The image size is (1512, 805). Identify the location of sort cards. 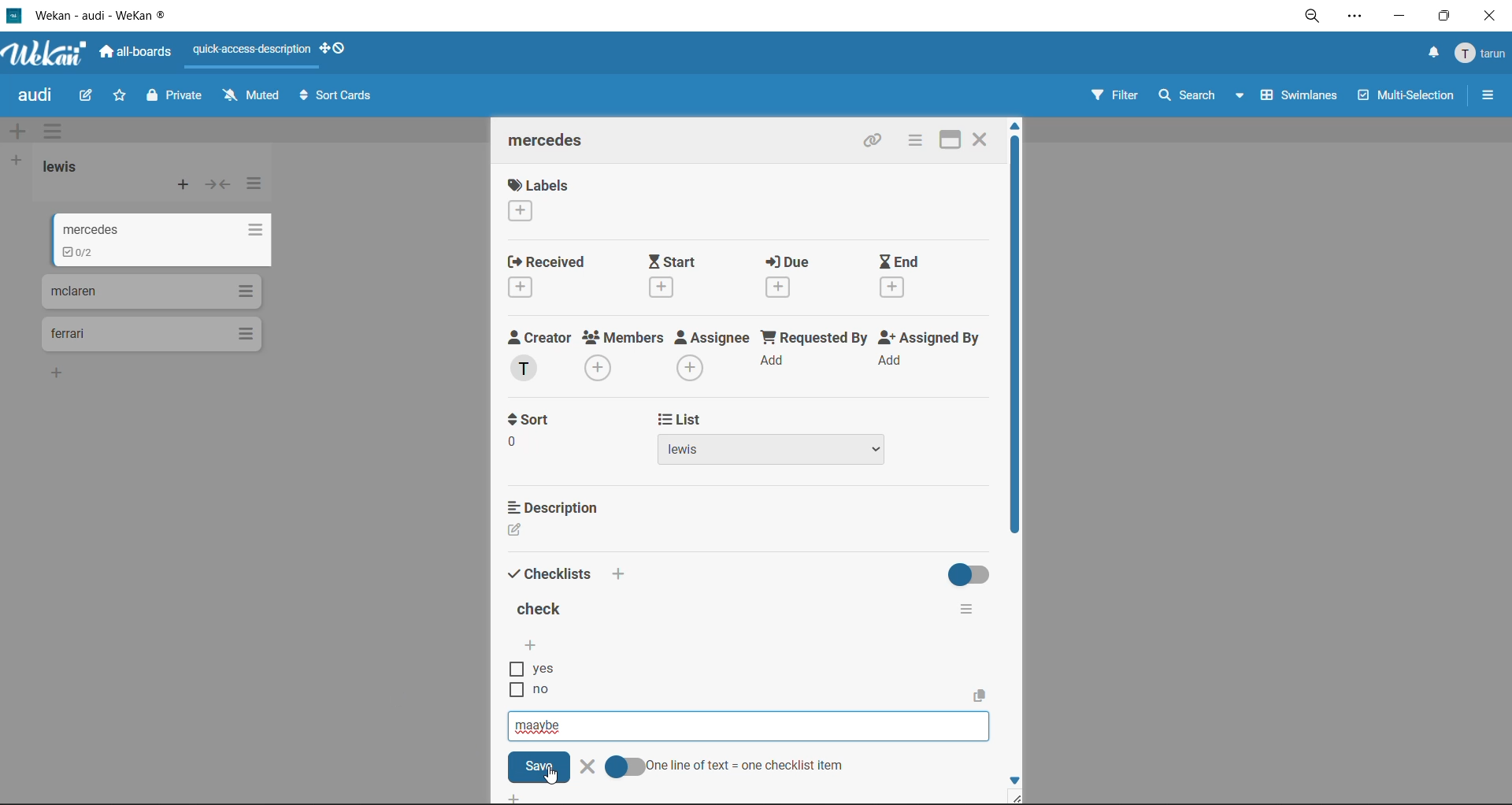
(338, 96).